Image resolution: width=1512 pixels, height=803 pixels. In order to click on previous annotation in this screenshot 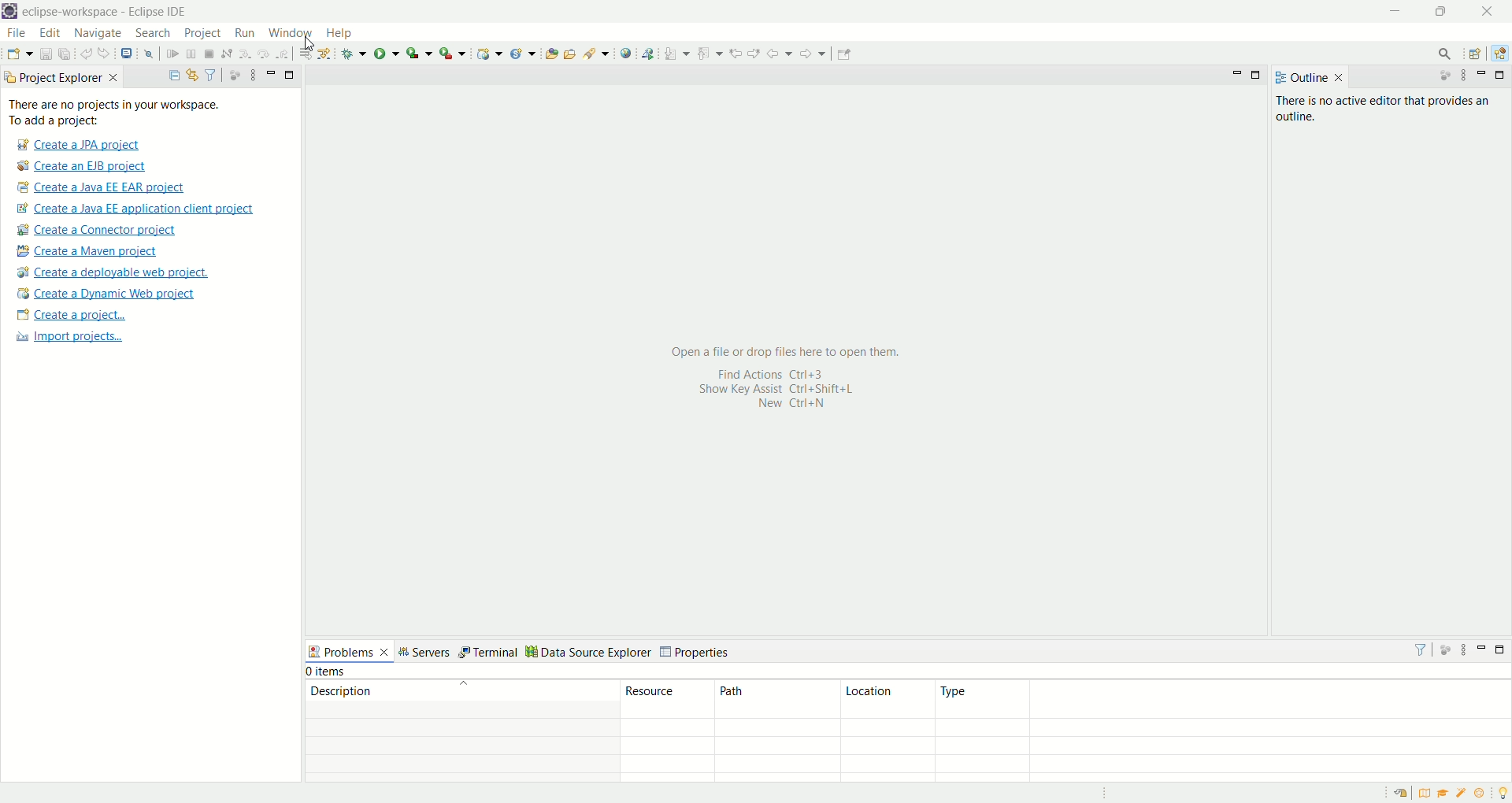, I will do `click(708, 52)`.